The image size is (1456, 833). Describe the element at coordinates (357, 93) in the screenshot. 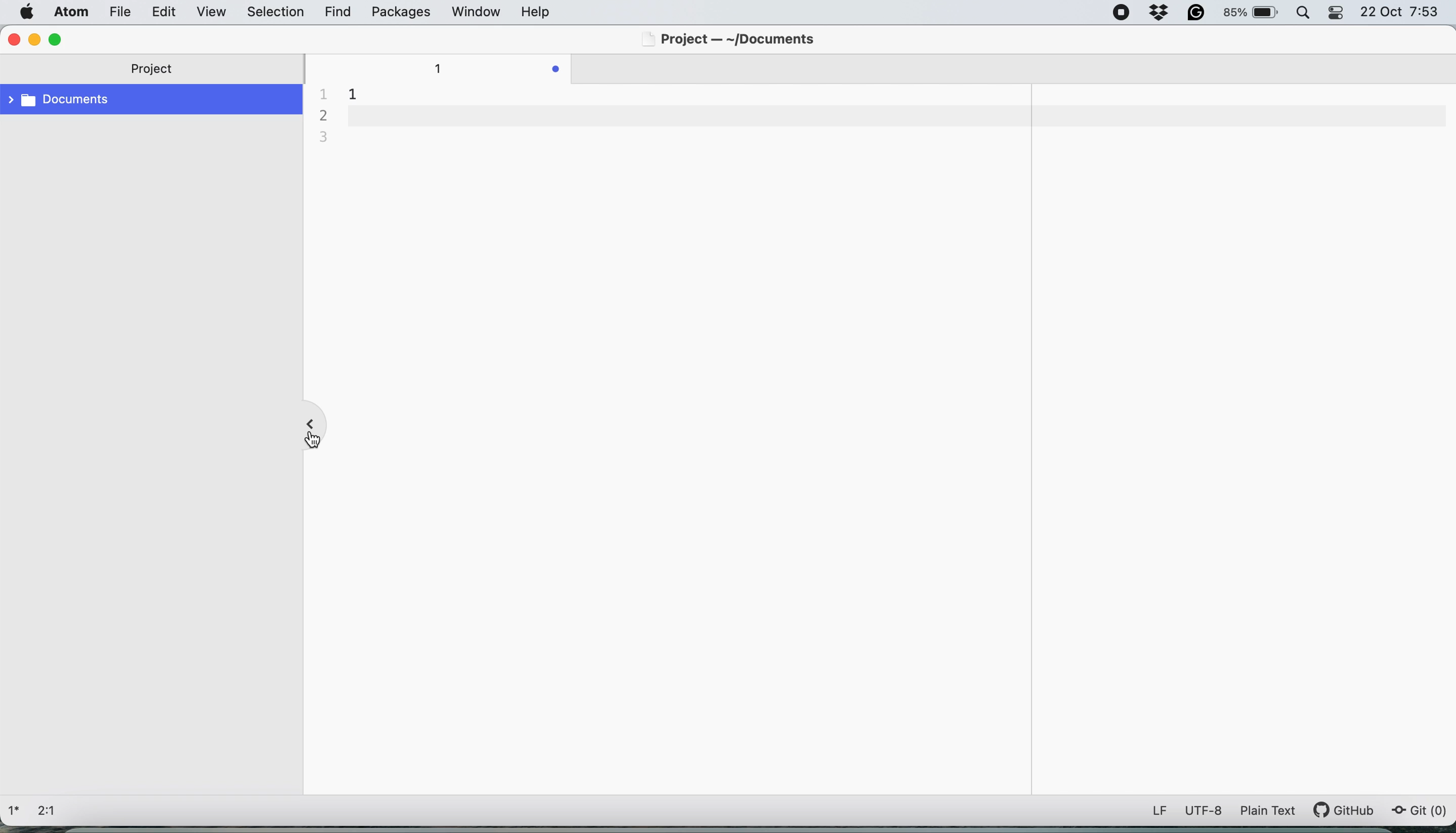

I see `1` at that location.